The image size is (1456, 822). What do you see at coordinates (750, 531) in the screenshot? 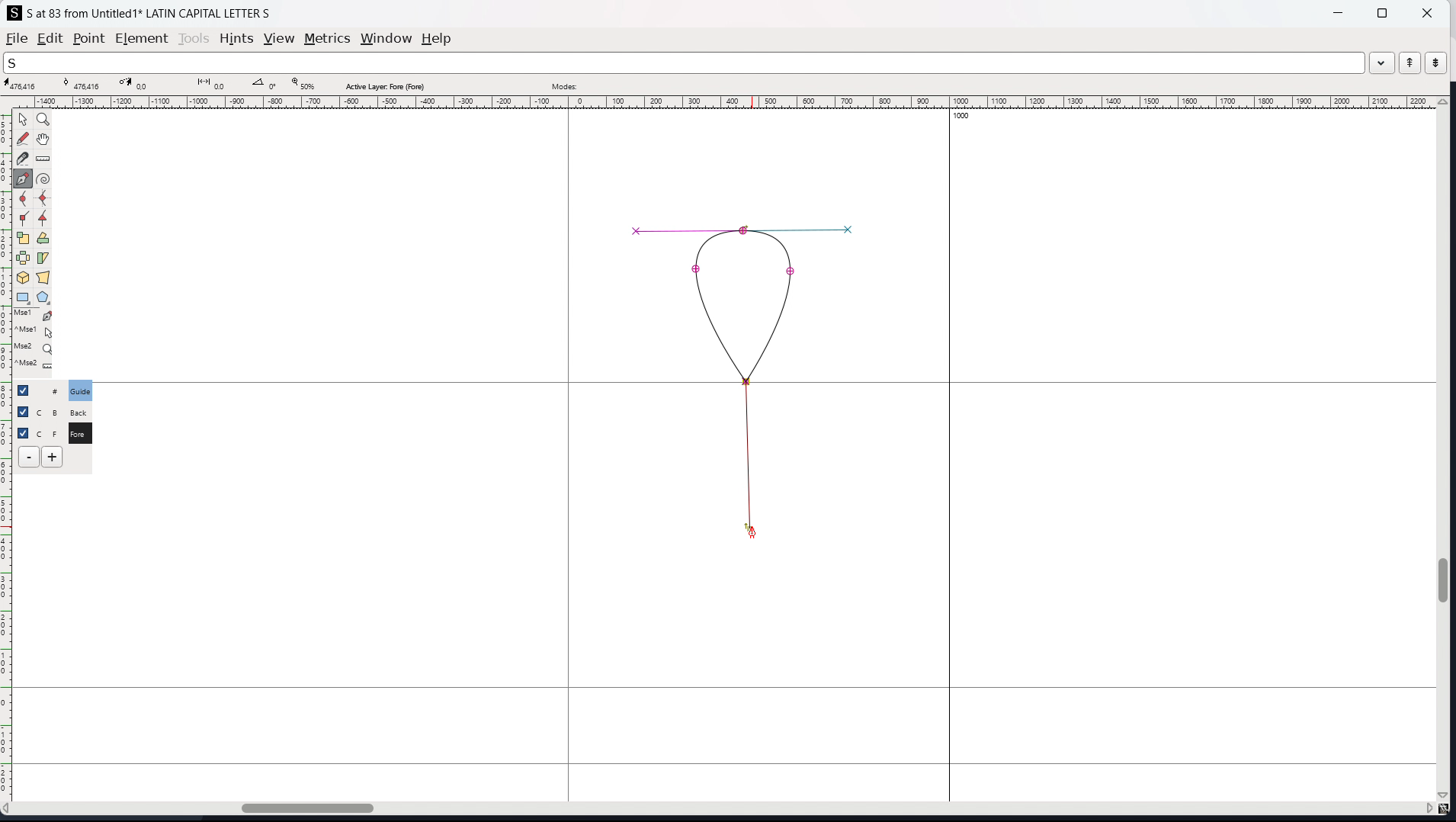
I see `cursor` at bounding box center [750, 531].